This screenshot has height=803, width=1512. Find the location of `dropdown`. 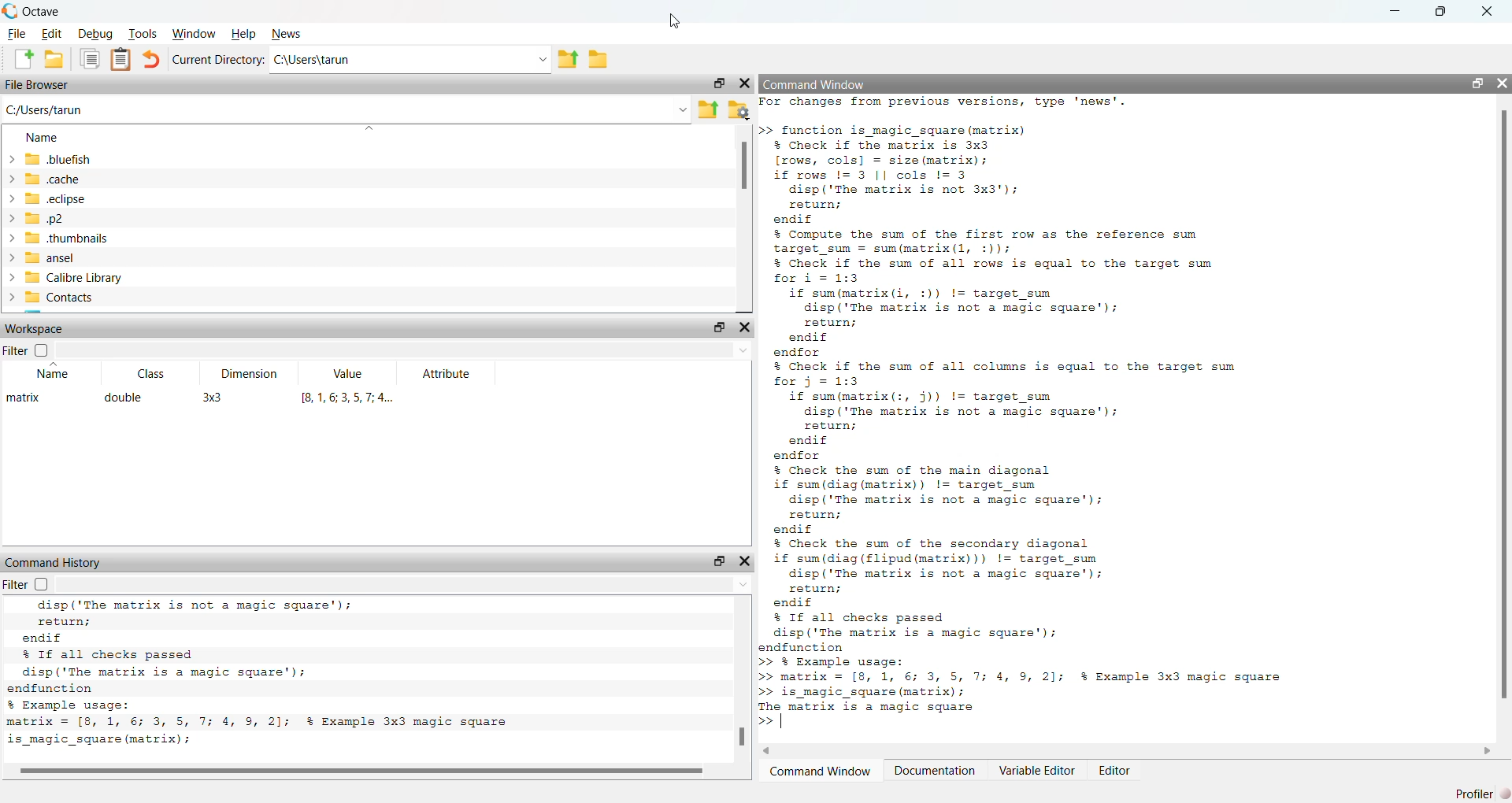

dropdown is located at coordinates (737, 585).